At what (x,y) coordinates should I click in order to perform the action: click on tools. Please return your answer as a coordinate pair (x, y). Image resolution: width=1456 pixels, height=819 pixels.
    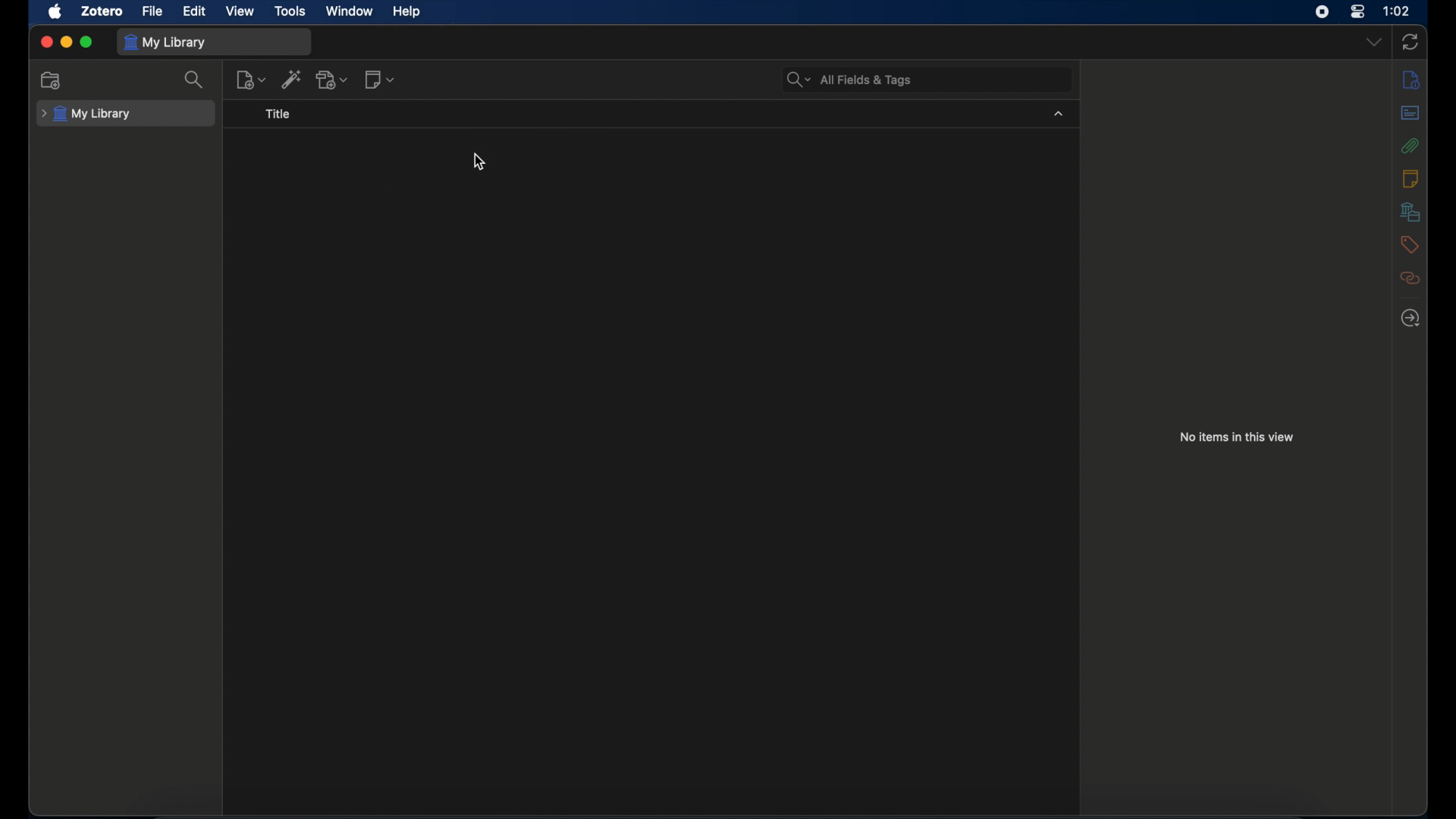
    Looking at the image, I should click on (290, 11).